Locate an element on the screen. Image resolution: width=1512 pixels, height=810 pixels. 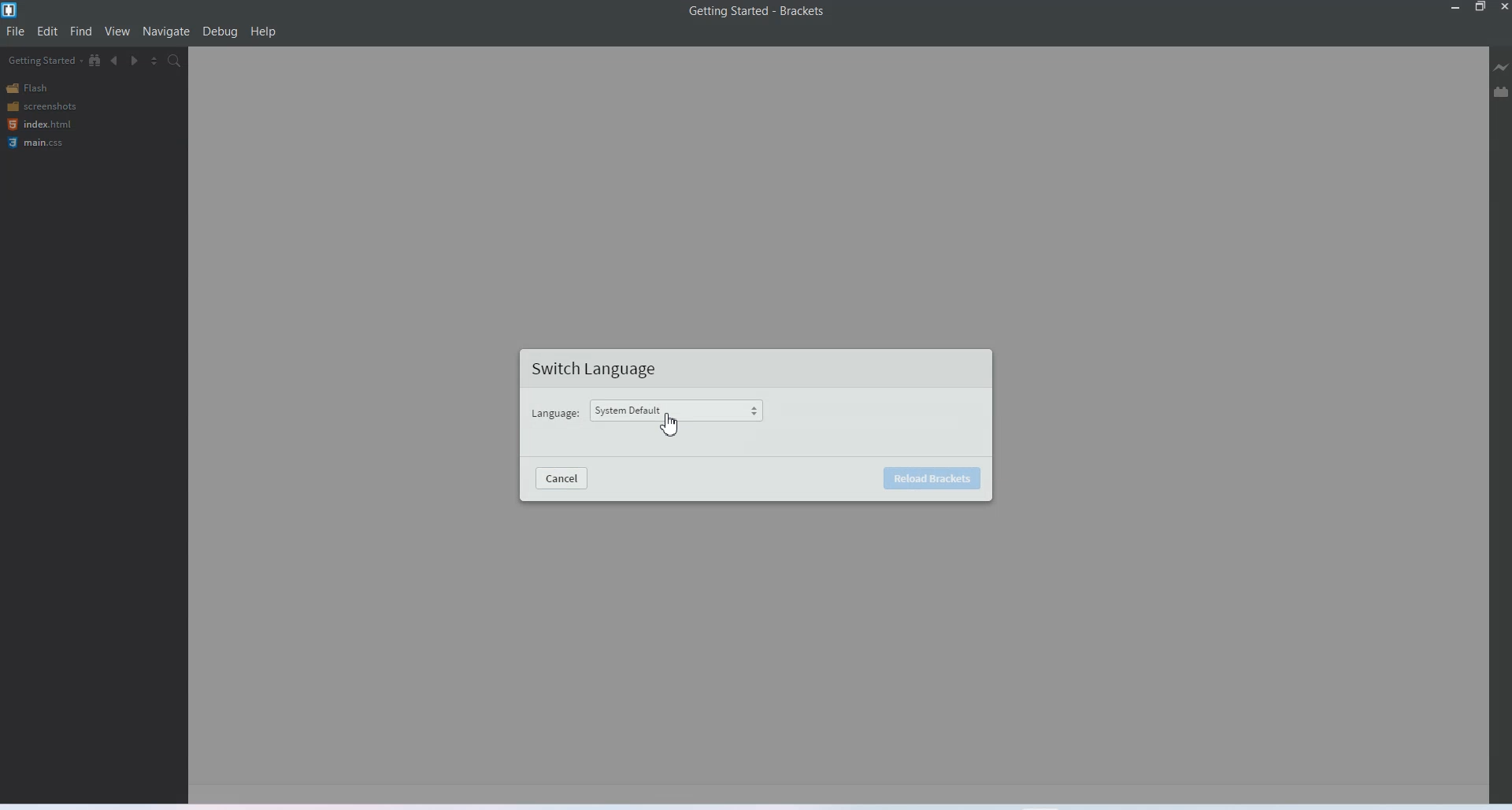
Show in the file tree is located at coordinates (95, 60).